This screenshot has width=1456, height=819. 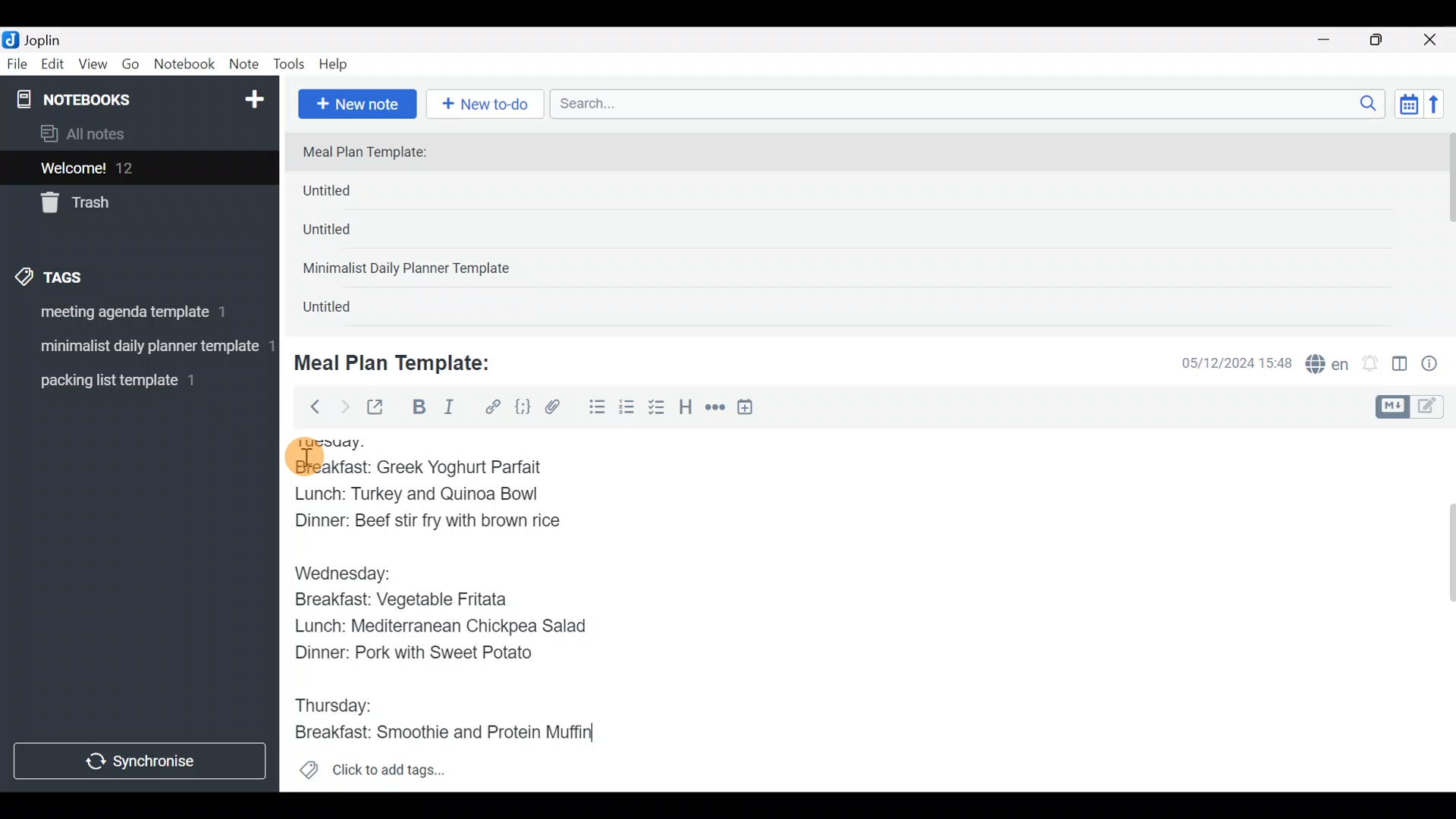 What do you see at coordinates (344, 310) in the screenshot?
I see `Untitled` at bounding box center [344, 310].